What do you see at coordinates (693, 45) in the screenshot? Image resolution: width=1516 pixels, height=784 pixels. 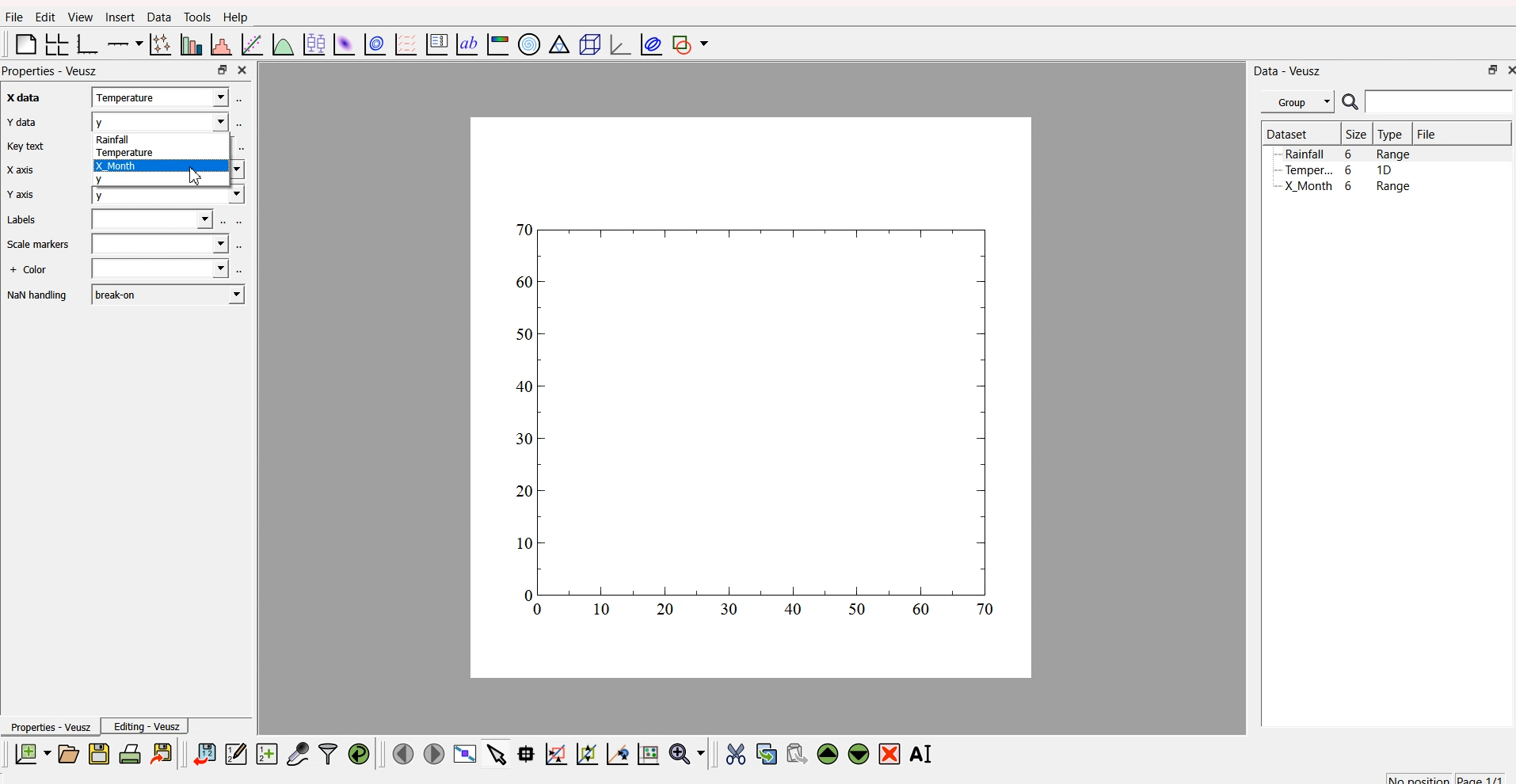 I see `add shape to plot` at bounding box center [693, 45].